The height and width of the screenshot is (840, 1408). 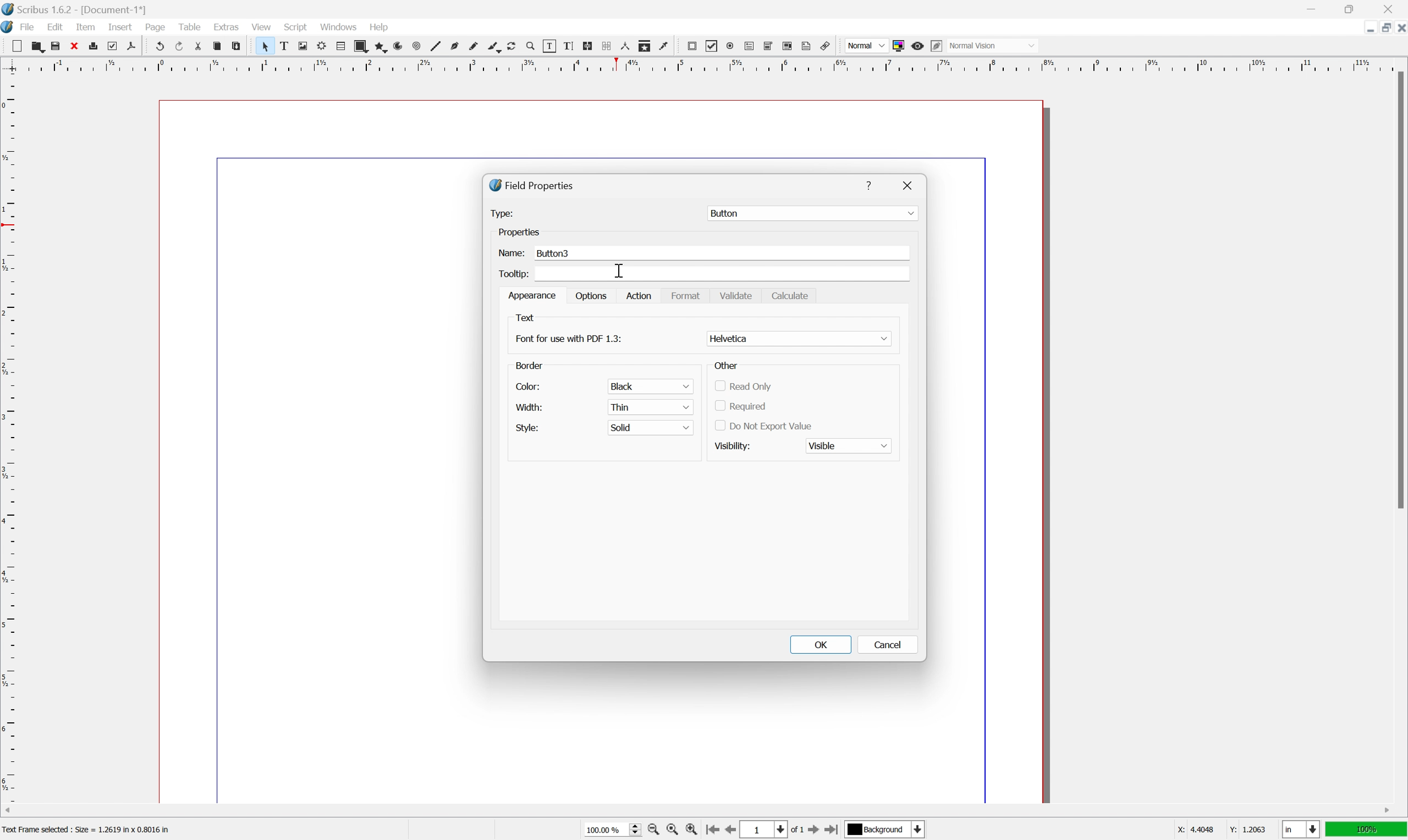 What do you see at coordinates (93, 46) in the screenshot?
I see `print` at bounding box center [93, 46].